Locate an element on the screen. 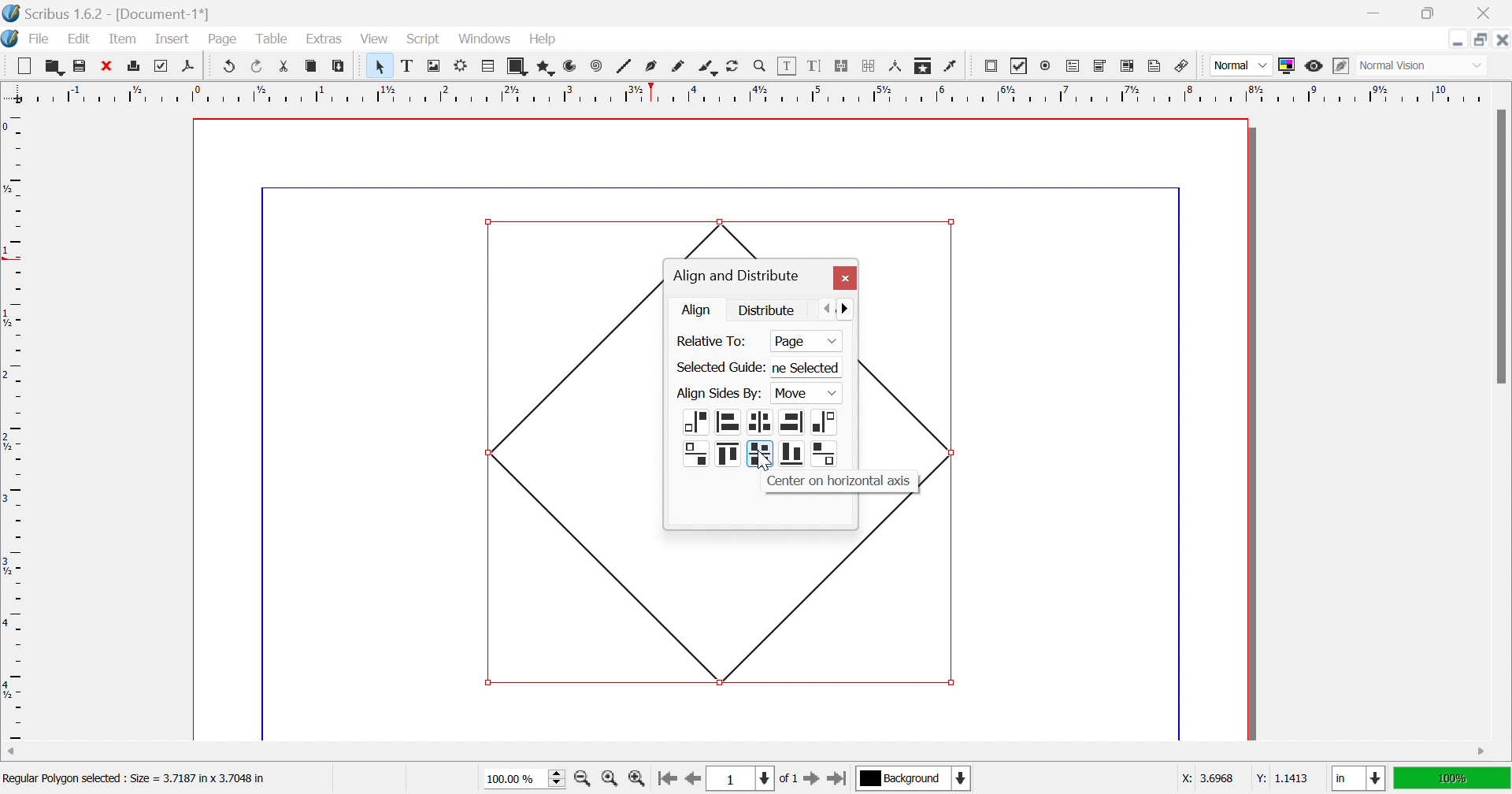 This screenshot has height=794, width=1512. Alignments is located at coordinates (713, 440).